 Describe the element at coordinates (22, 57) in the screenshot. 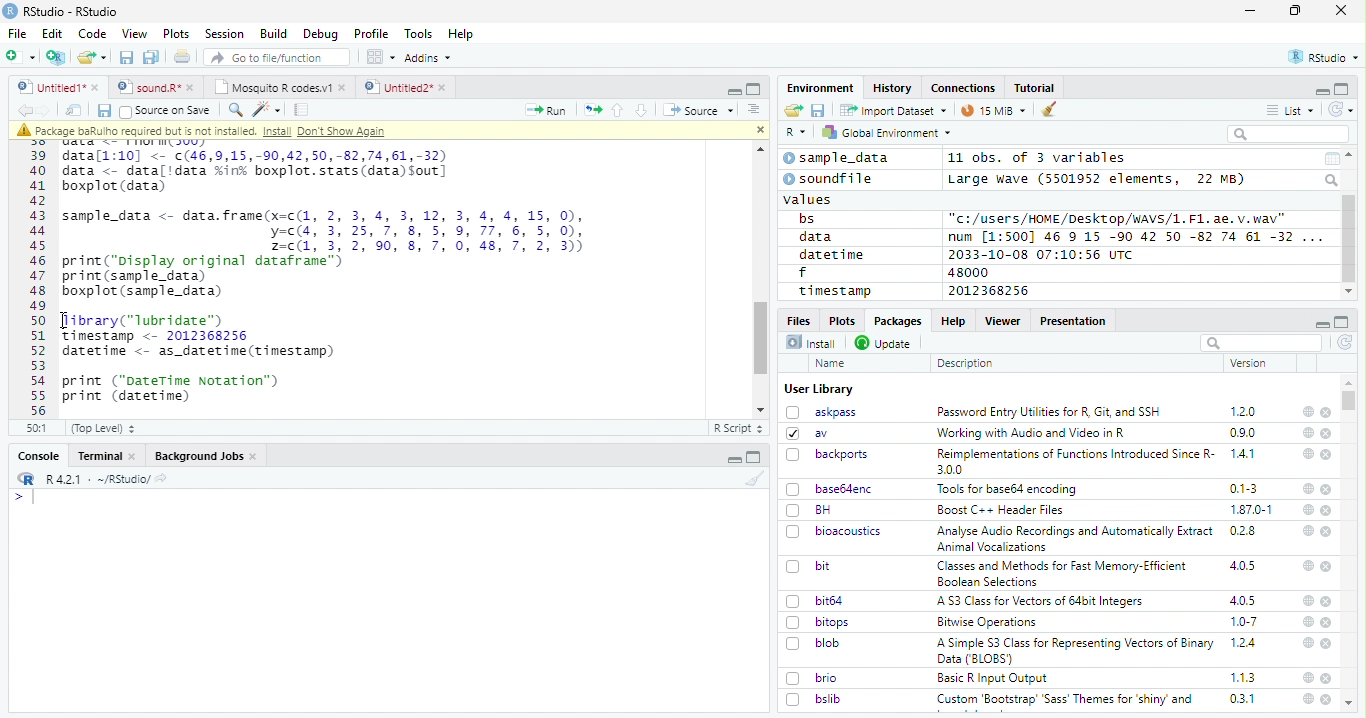

I see `New file` at that location.